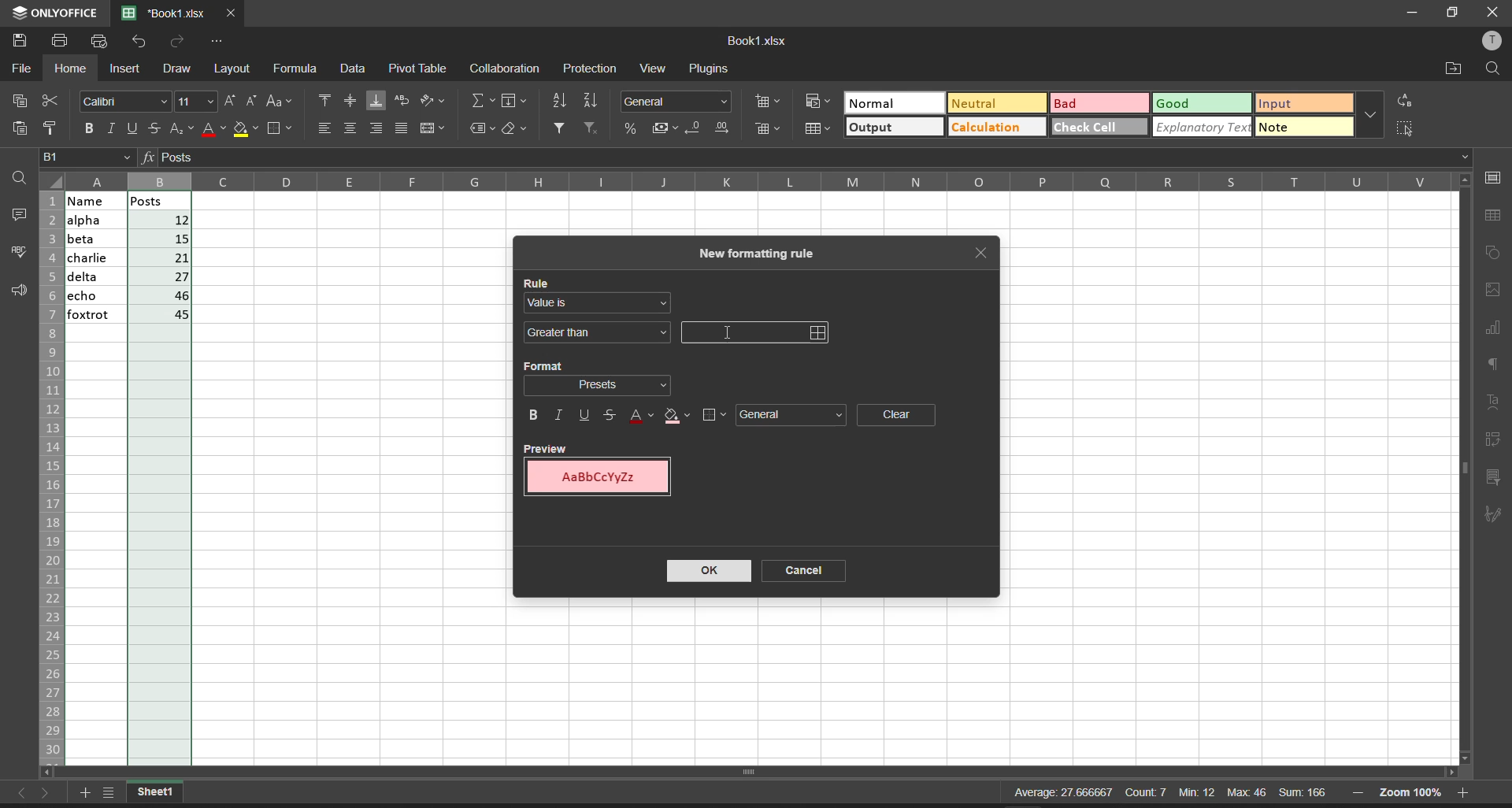 Image resolution: width=1512 pixels, height=808 pixels. What do you see at coordinates (132, 130) in the screenshot?
I see `underline` at bounding box center [132, 130].